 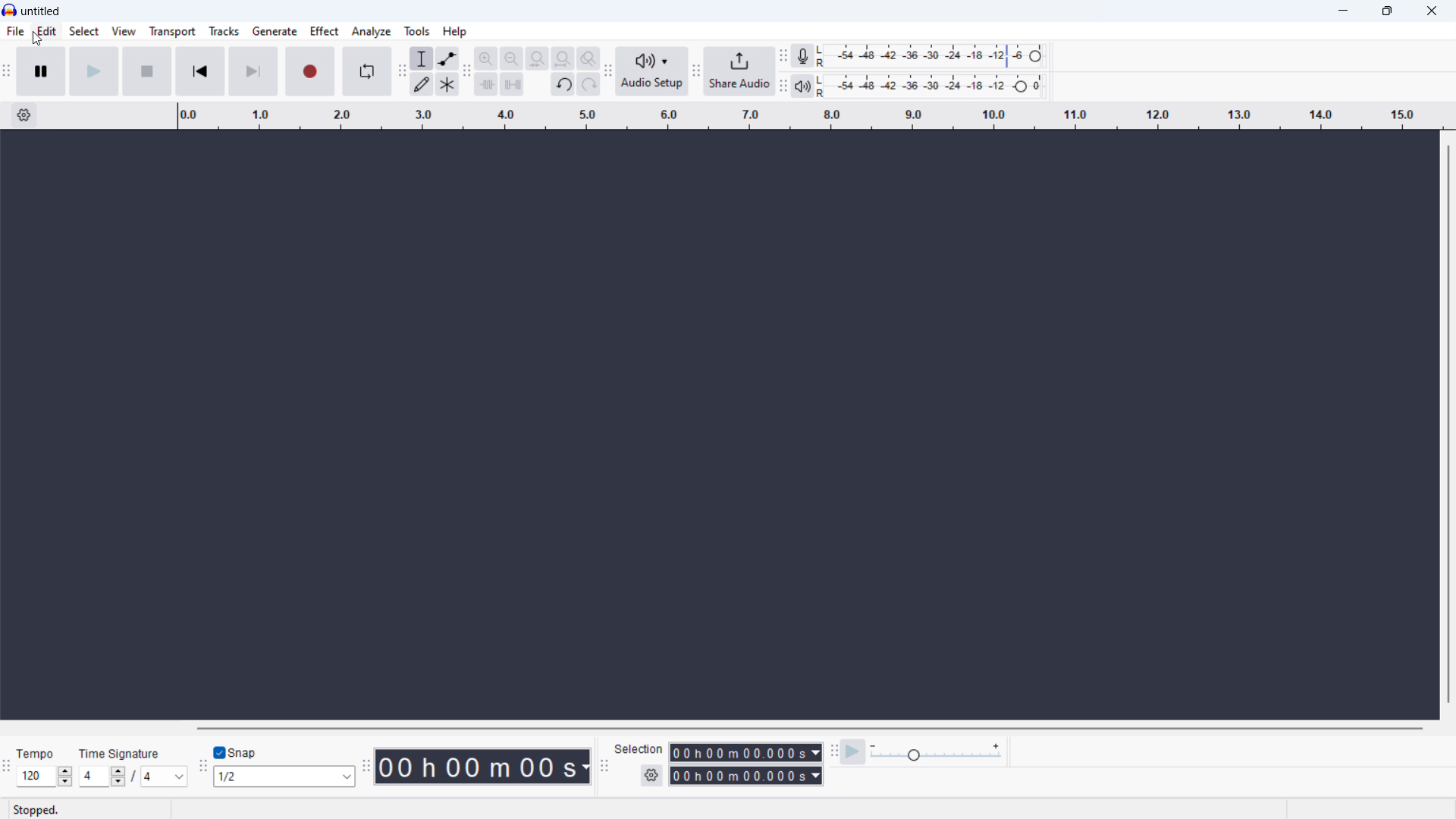 I want to click on title, so click(x=41, y=11).